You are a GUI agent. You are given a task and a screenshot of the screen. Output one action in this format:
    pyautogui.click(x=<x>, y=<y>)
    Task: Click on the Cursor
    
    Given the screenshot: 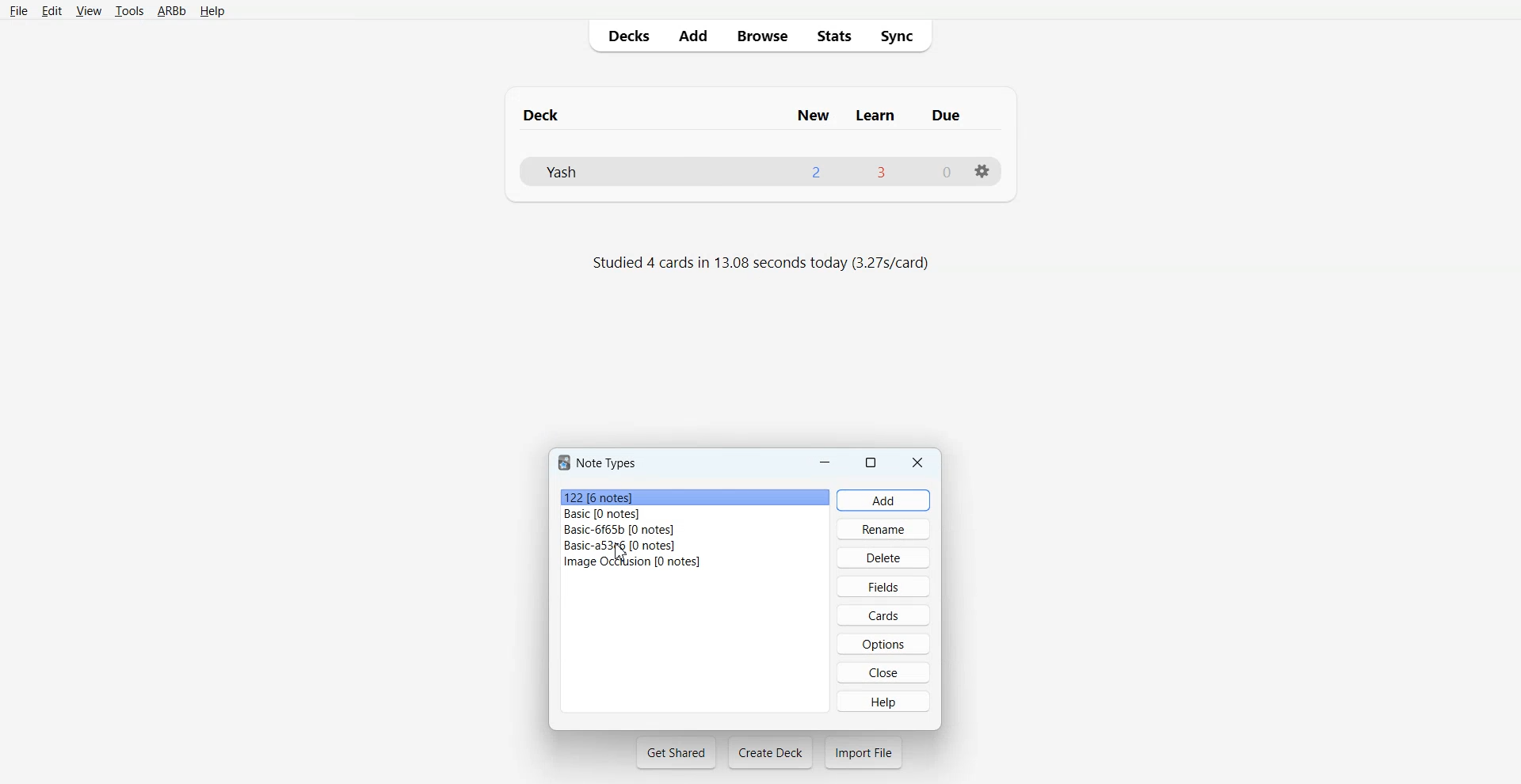 What is the action you would take?
    pyautogui.click(x=621, y=552)
    